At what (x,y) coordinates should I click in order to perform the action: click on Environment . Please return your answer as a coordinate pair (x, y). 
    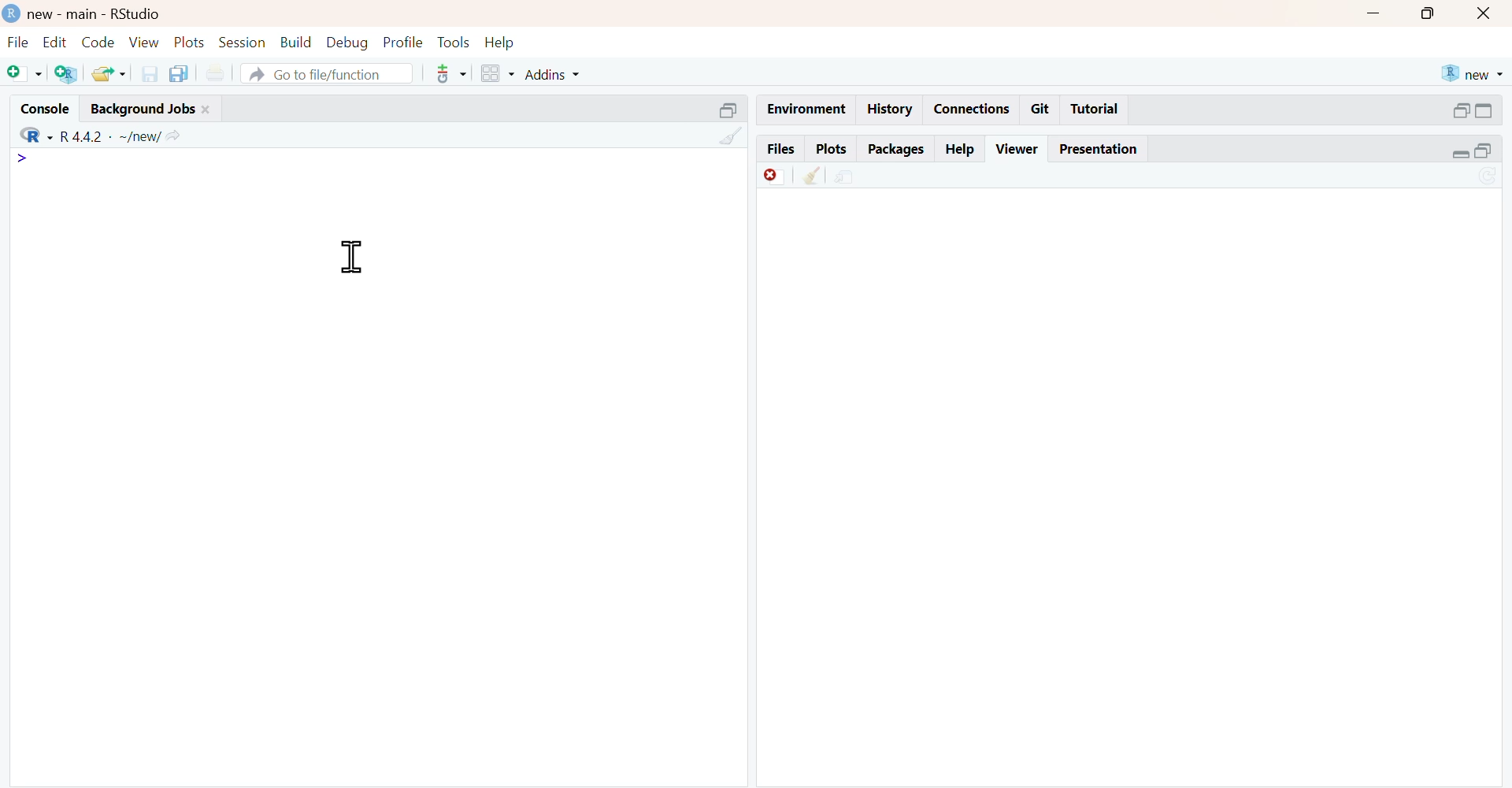
    Looking at the image, I should click on (808, 109).